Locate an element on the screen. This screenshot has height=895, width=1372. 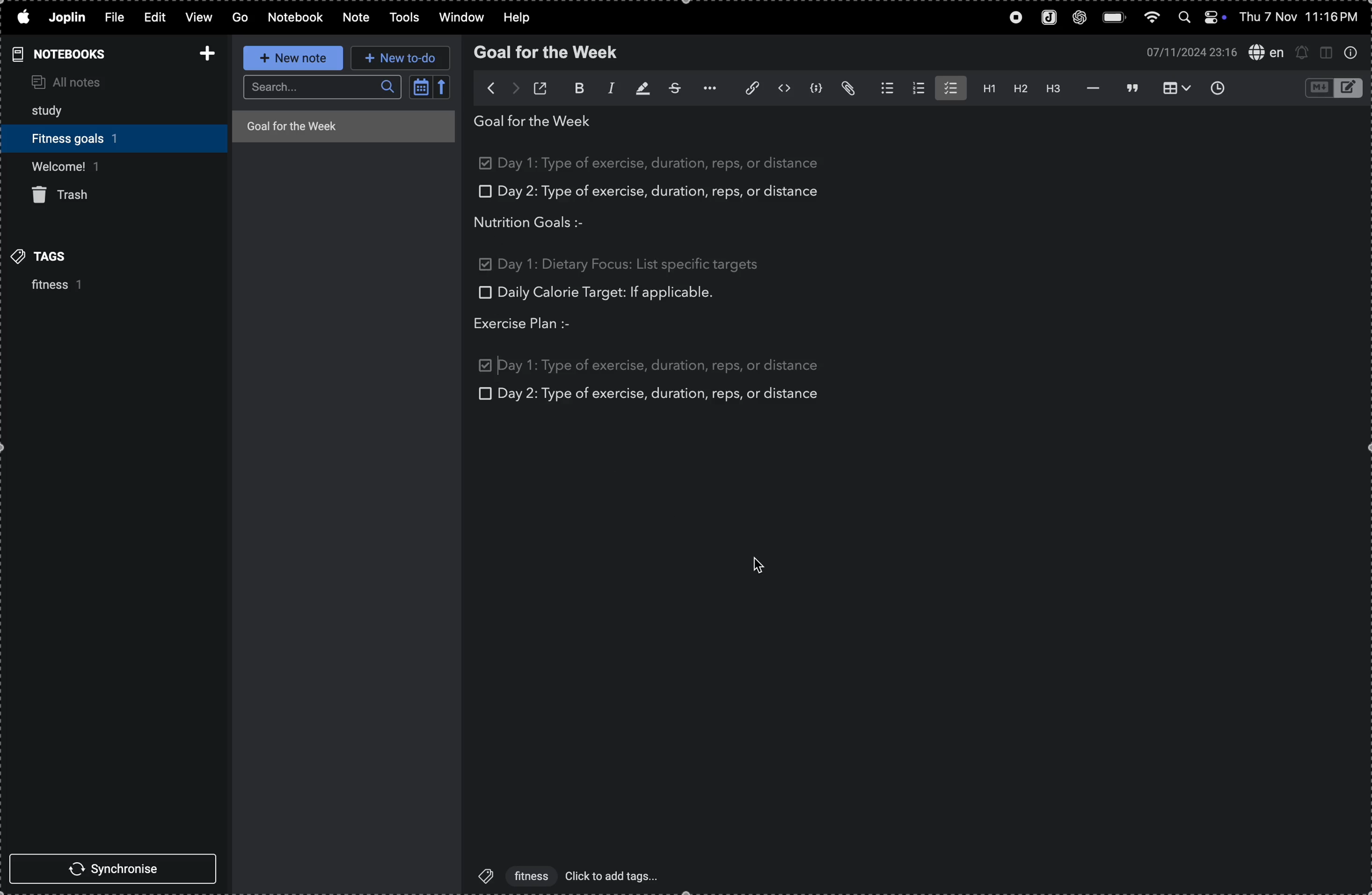
 day 2: type of exercise, duration, reps, or distance is located at coordinates (665, 192).